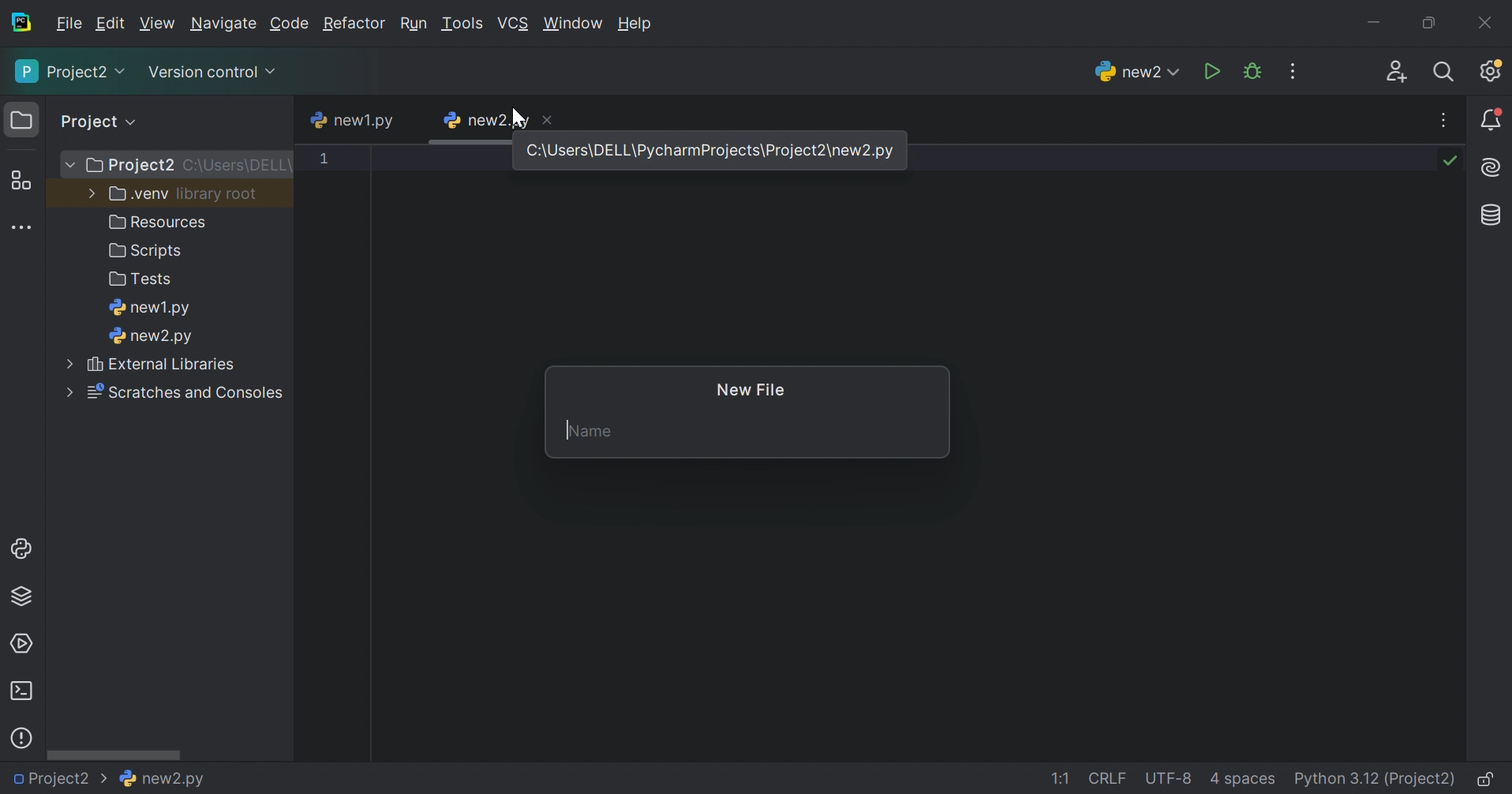 The image size is (1512, 794). Describe the element at coordinates (70, 72) in the screenshot. I see `Project2` at that location.